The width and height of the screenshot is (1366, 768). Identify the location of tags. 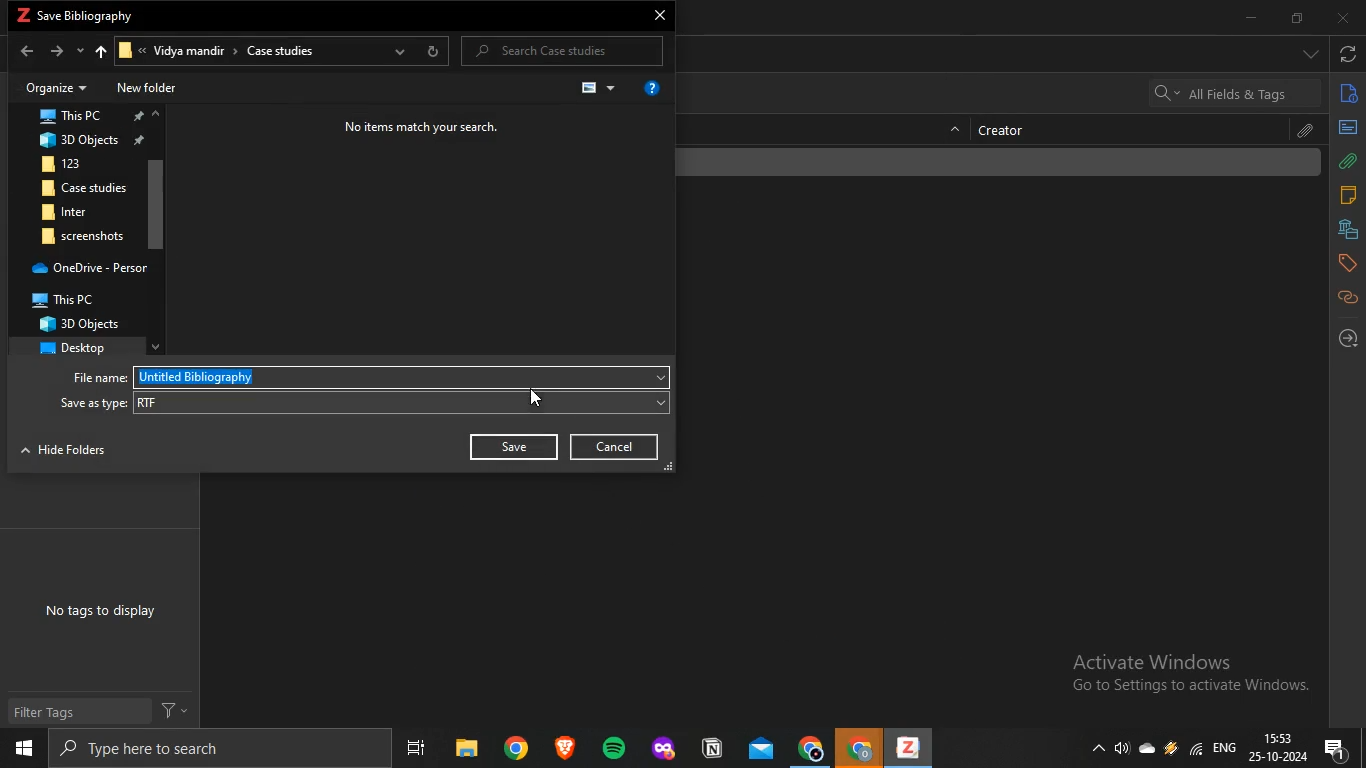
(1348, 262).